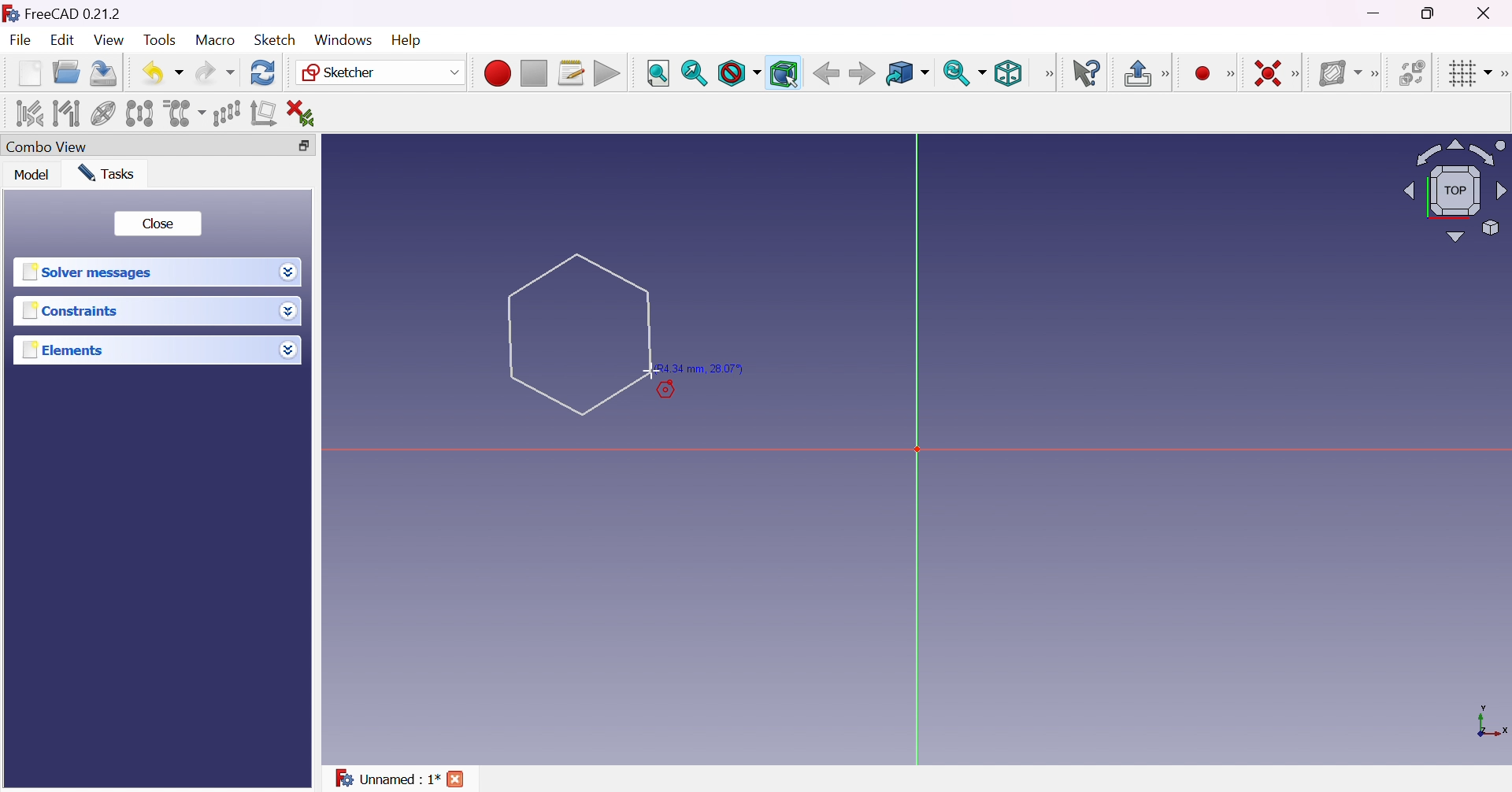  What do you see at coordinates (1376, 13) in the screenshot?
I see `Minimize` at bounding box center [1376, 13].